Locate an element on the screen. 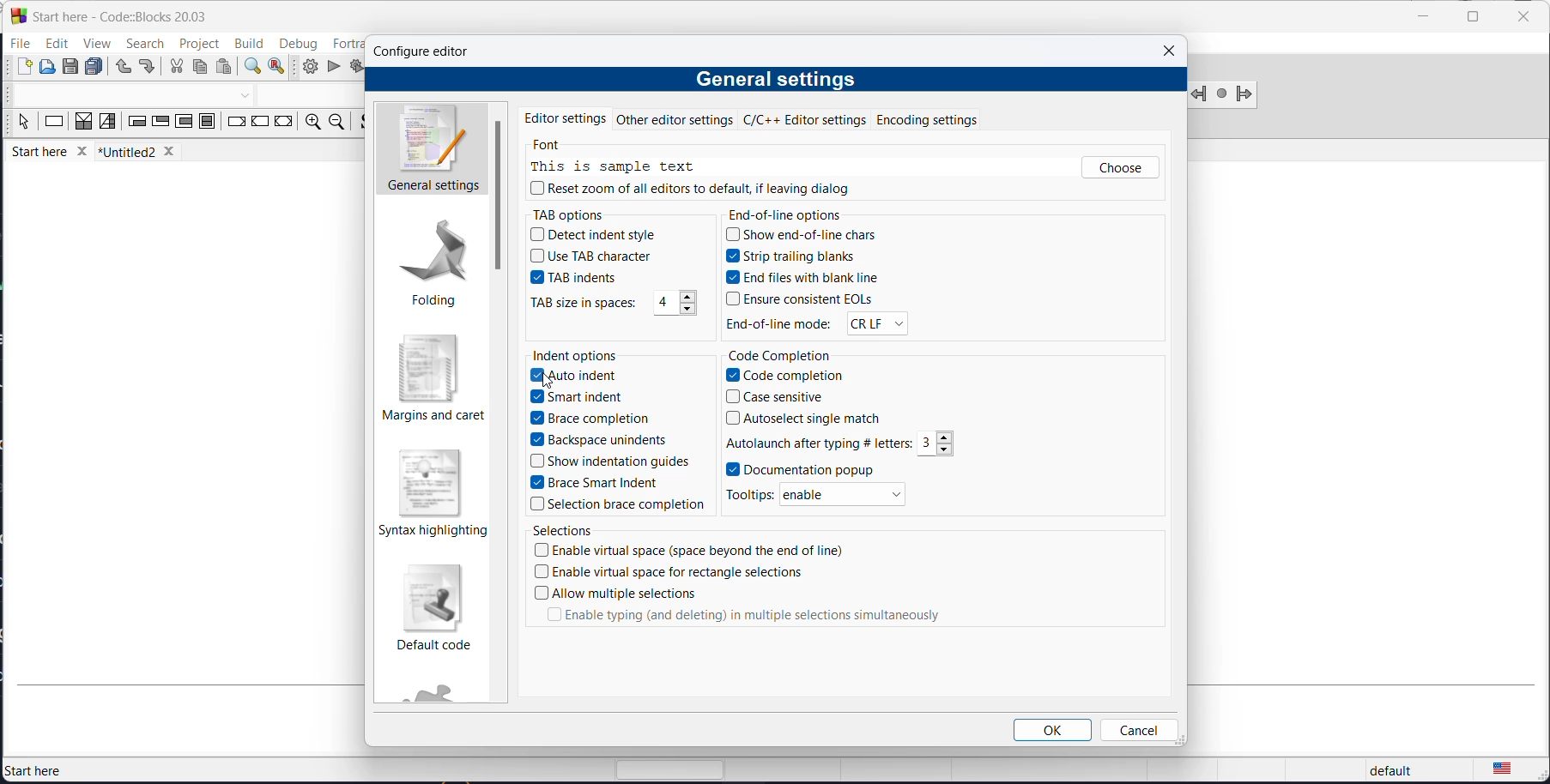 This screenshot has width=1550, height=784. dropdown is located at coordinates (879, 325).